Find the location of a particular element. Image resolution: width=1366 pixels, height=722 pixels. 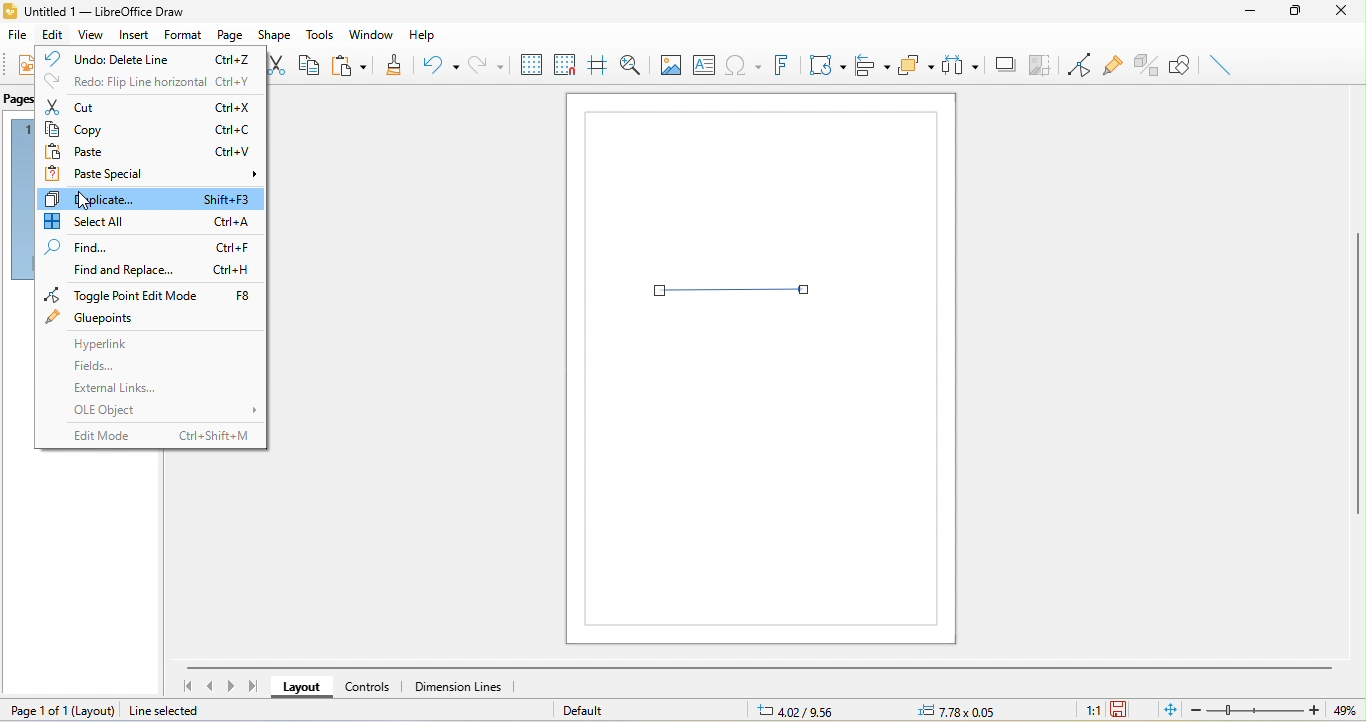

gluepoints is located at coordinates (95, 317).